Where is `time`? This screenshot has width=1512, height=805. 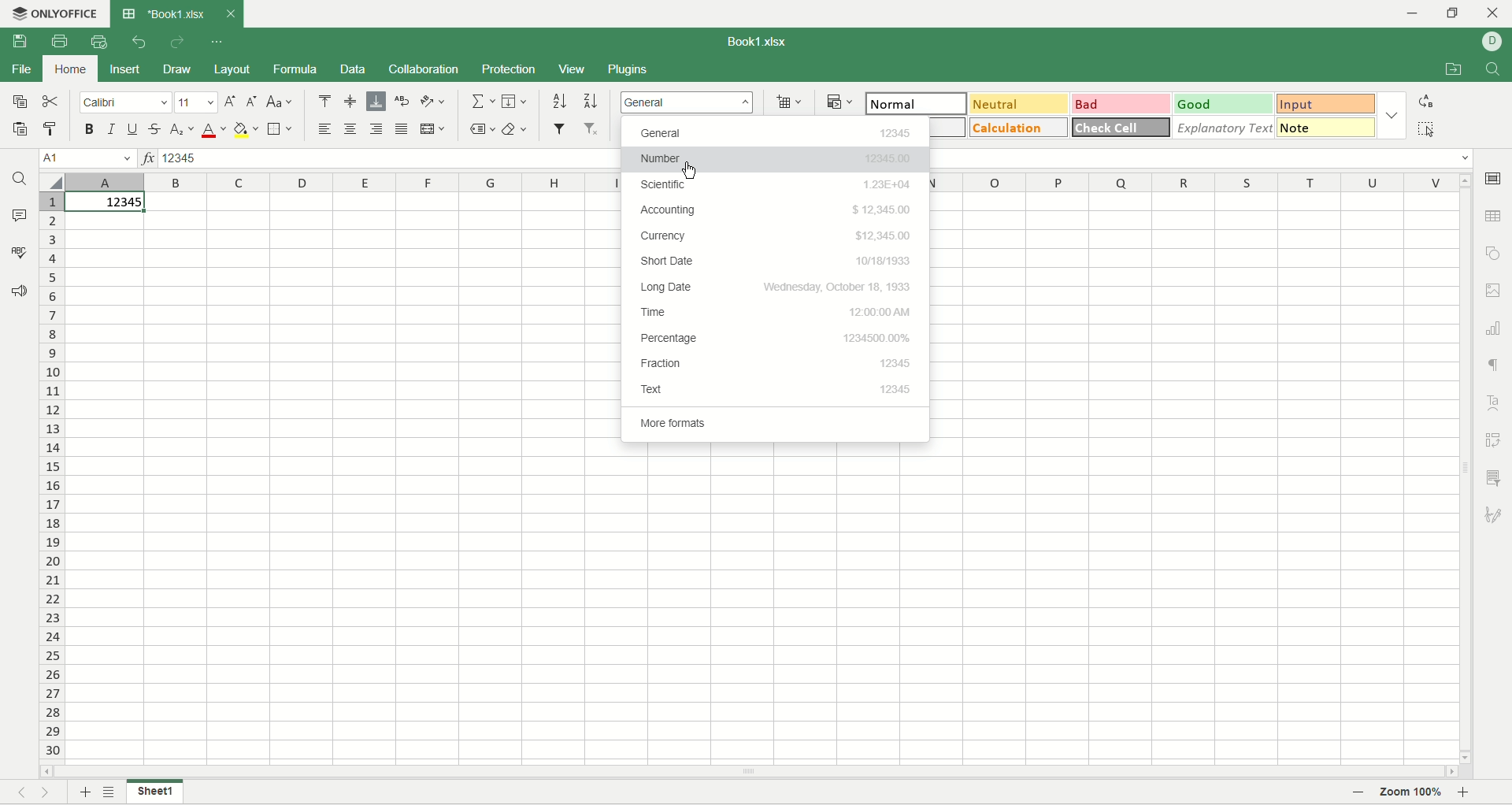 time is located at coordinates (776, 310).